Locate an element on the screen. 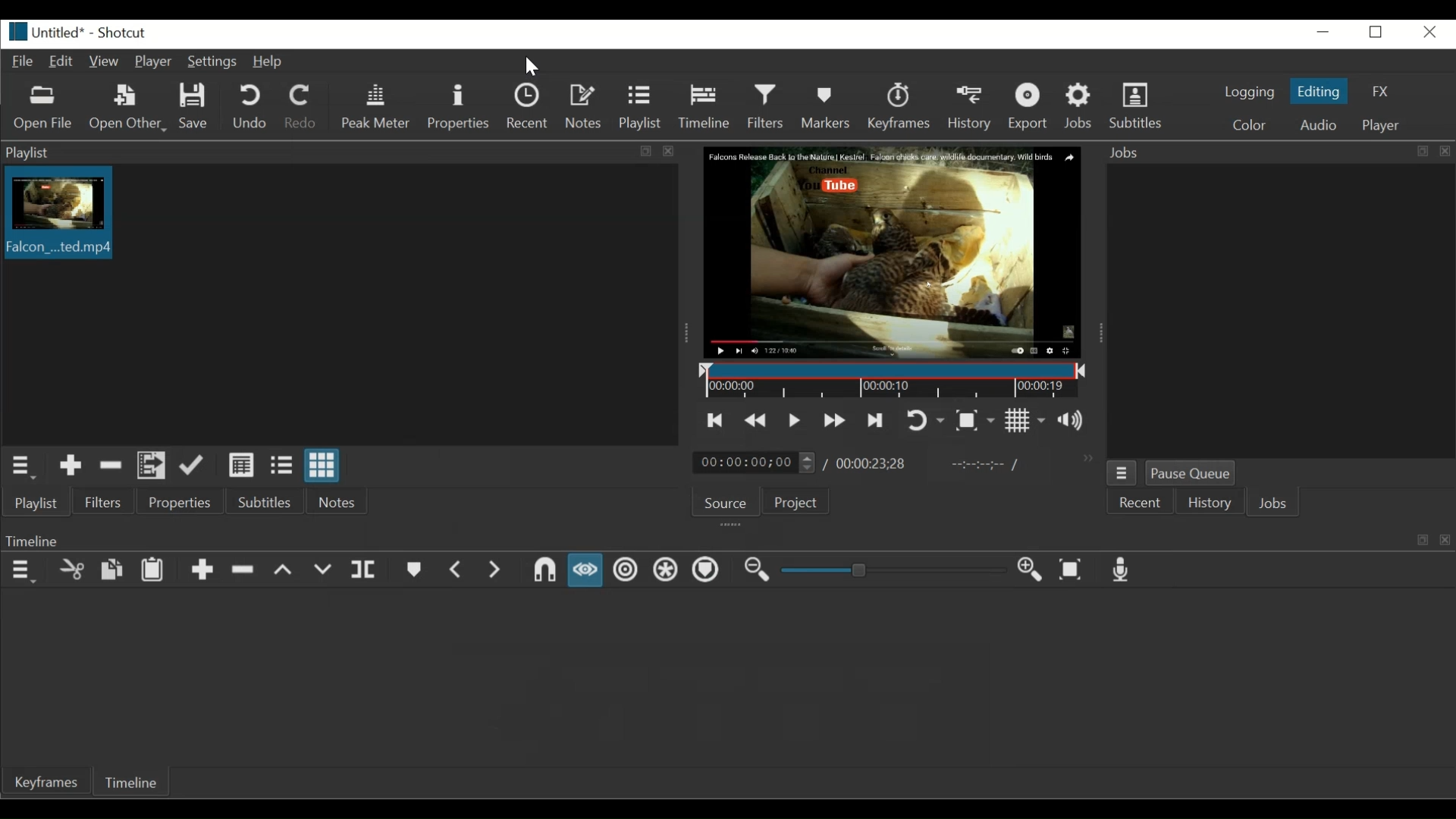 This screenshot has width=1456, height=819. Play quickly backward is located at coordinates (758, 420).